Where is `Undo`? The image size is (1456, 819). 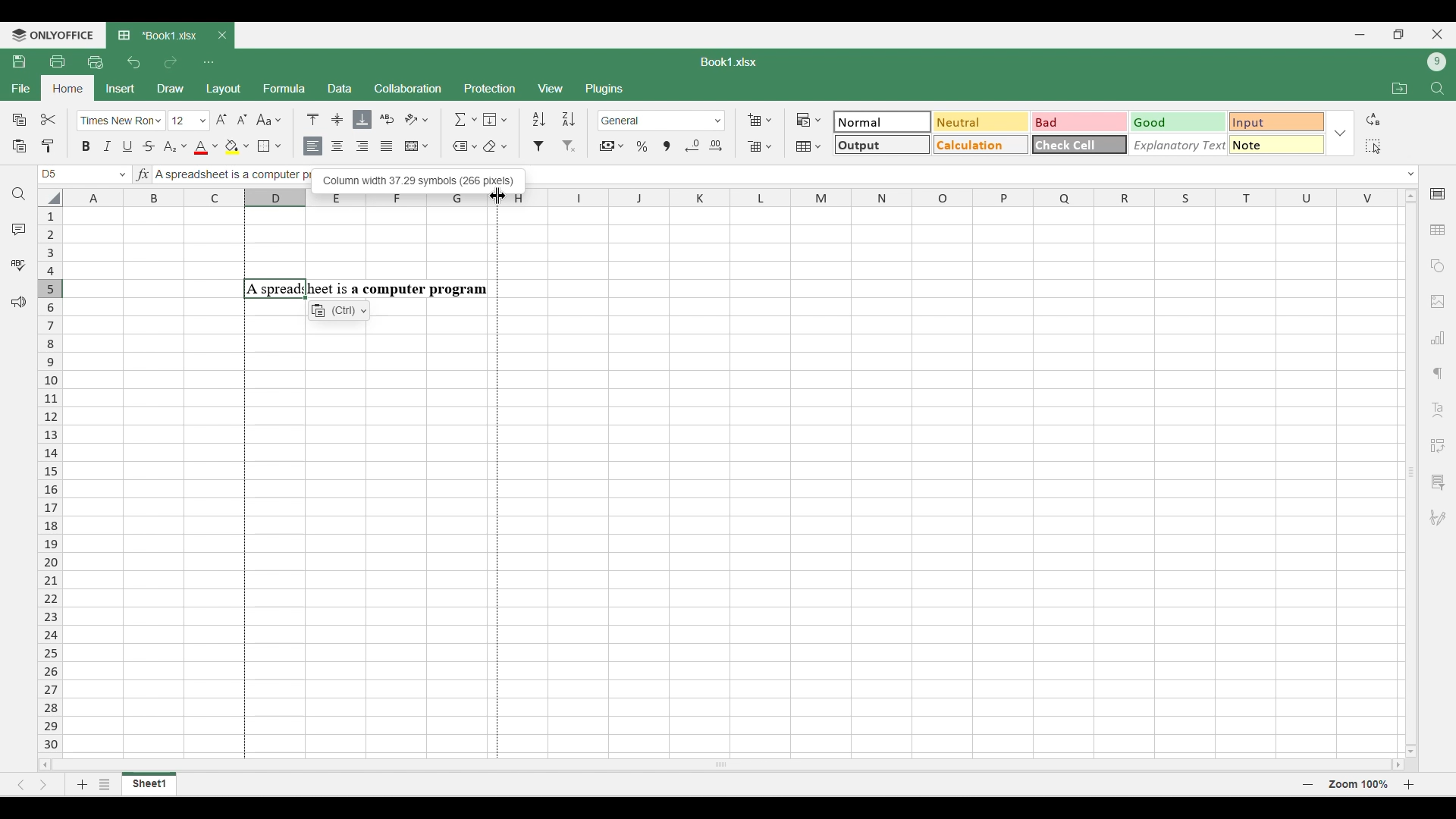
Undo is located at coordinates (133, 62).